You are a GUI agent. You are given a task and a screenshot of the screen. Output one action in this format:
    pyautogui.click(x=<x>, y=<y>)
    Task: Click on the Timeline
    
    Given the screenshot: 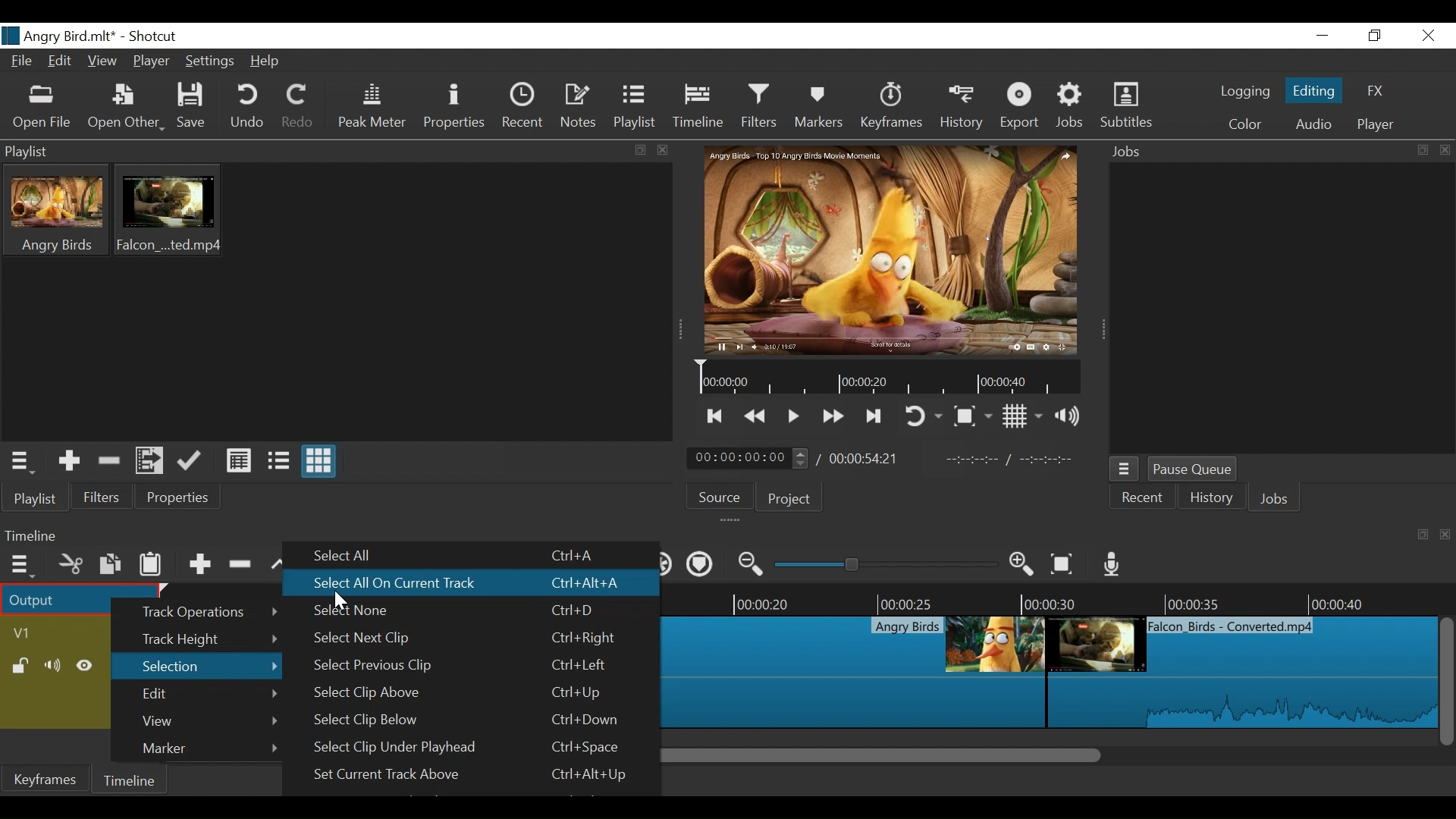 What is the action you would take?
    pyautogui.click(x=1064, y=601)
    